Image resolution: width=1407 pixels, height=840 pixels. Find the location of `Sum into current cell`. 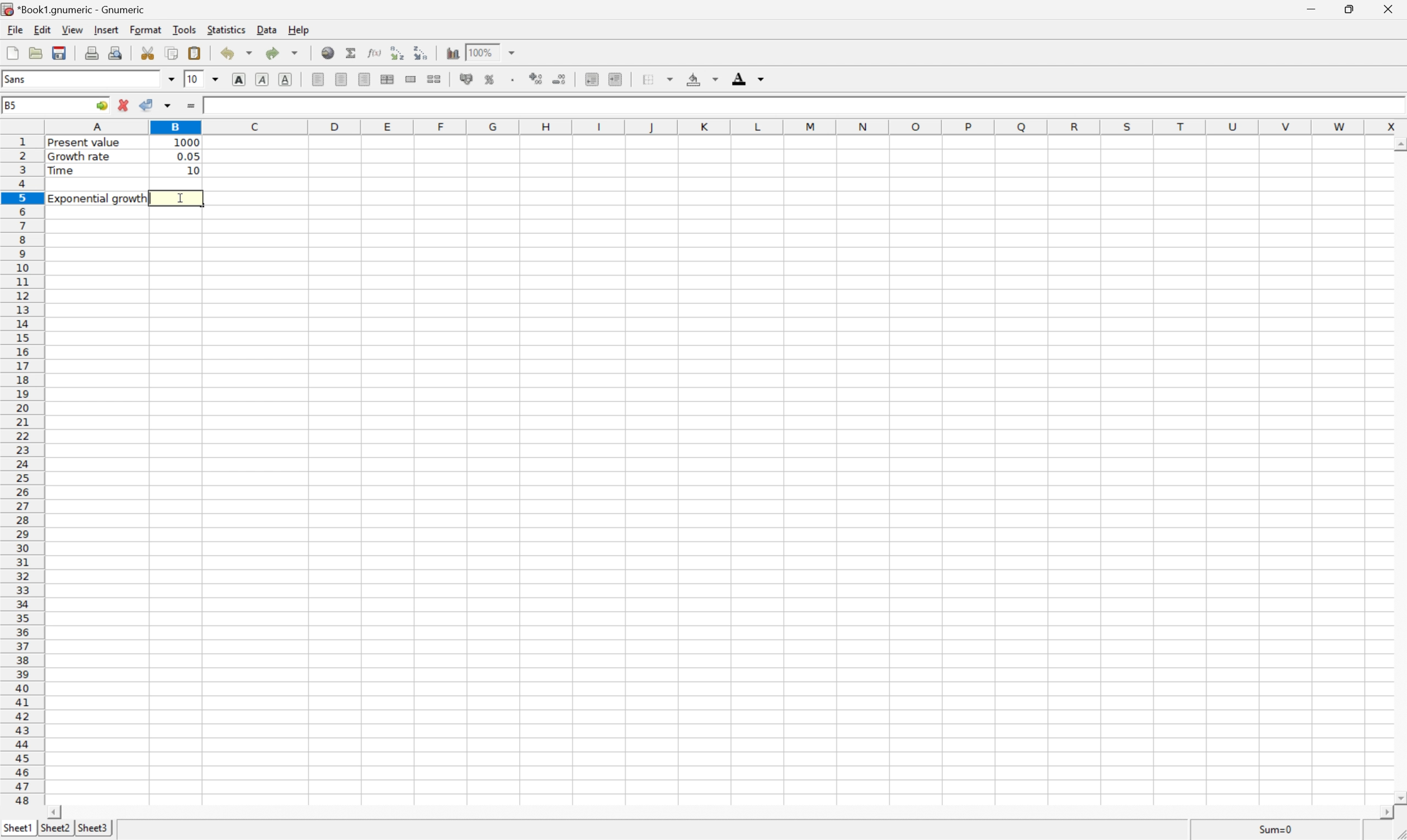

Sum into current cell is located at coordinates (351, 52).